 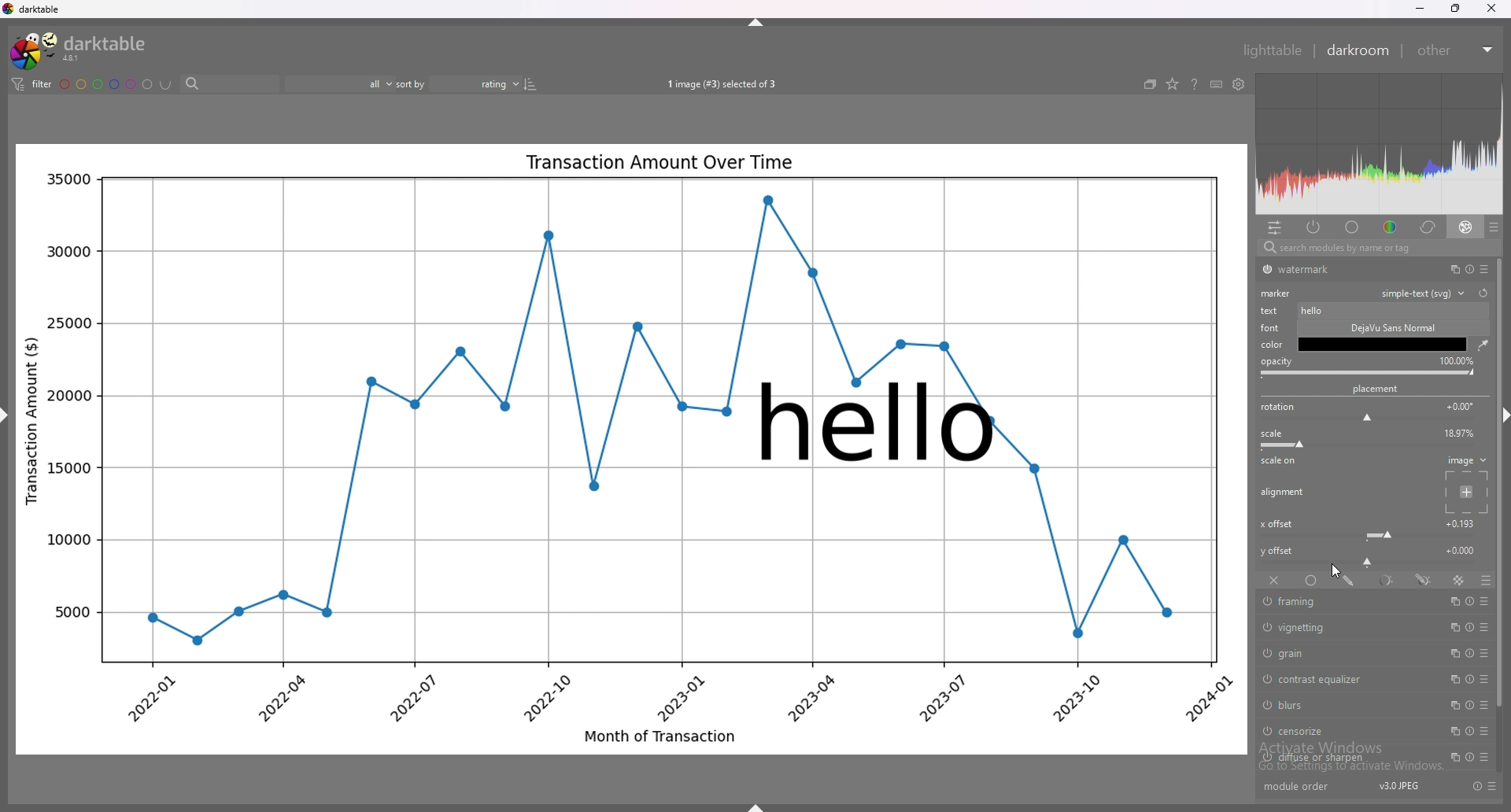 What do you see at coordinates (1494, 227) in the screenshot?
I see `presets` at bounding box center [1494, 227].